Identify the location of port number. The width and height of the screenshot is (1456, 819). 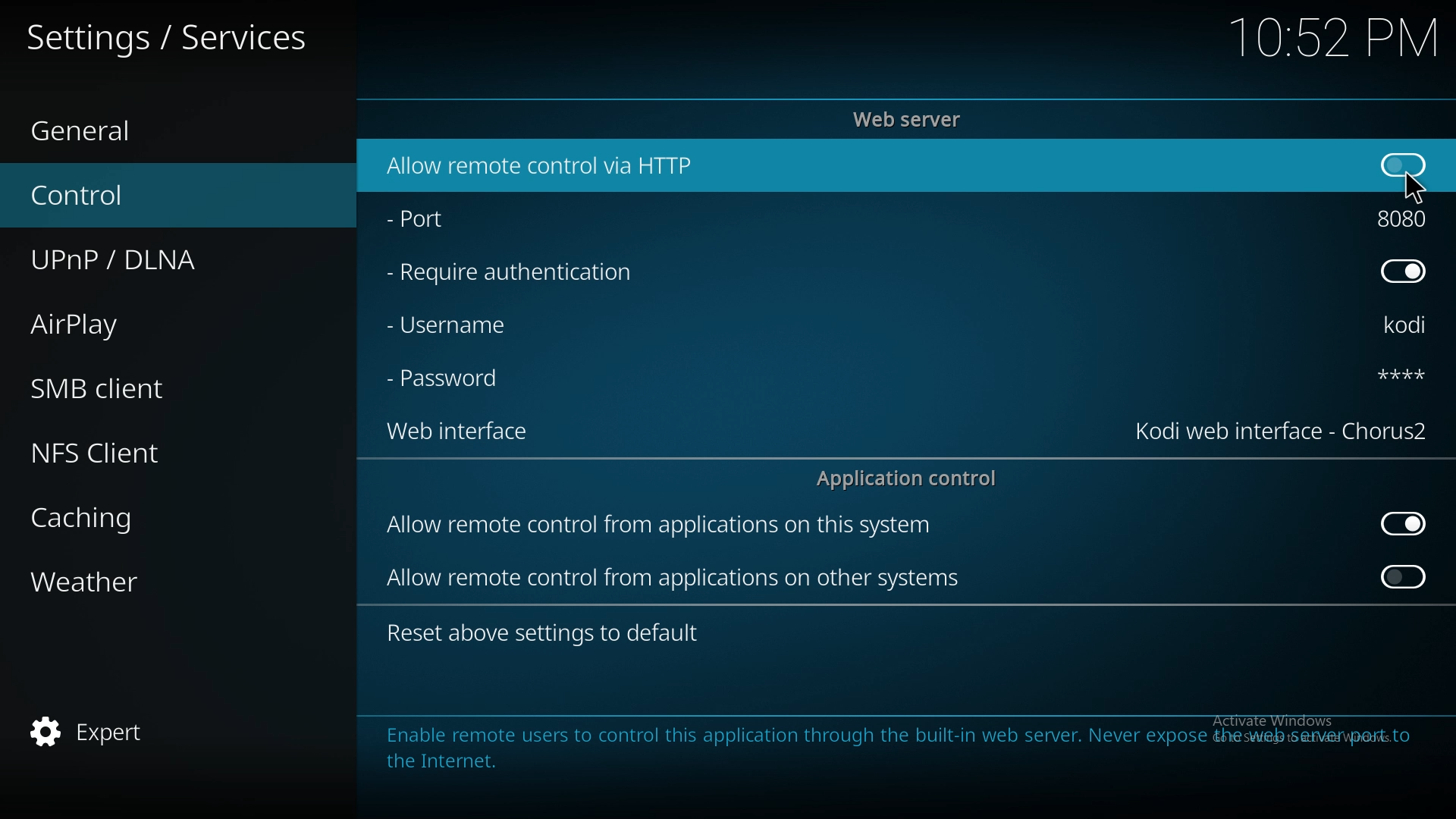
(1403, 218).